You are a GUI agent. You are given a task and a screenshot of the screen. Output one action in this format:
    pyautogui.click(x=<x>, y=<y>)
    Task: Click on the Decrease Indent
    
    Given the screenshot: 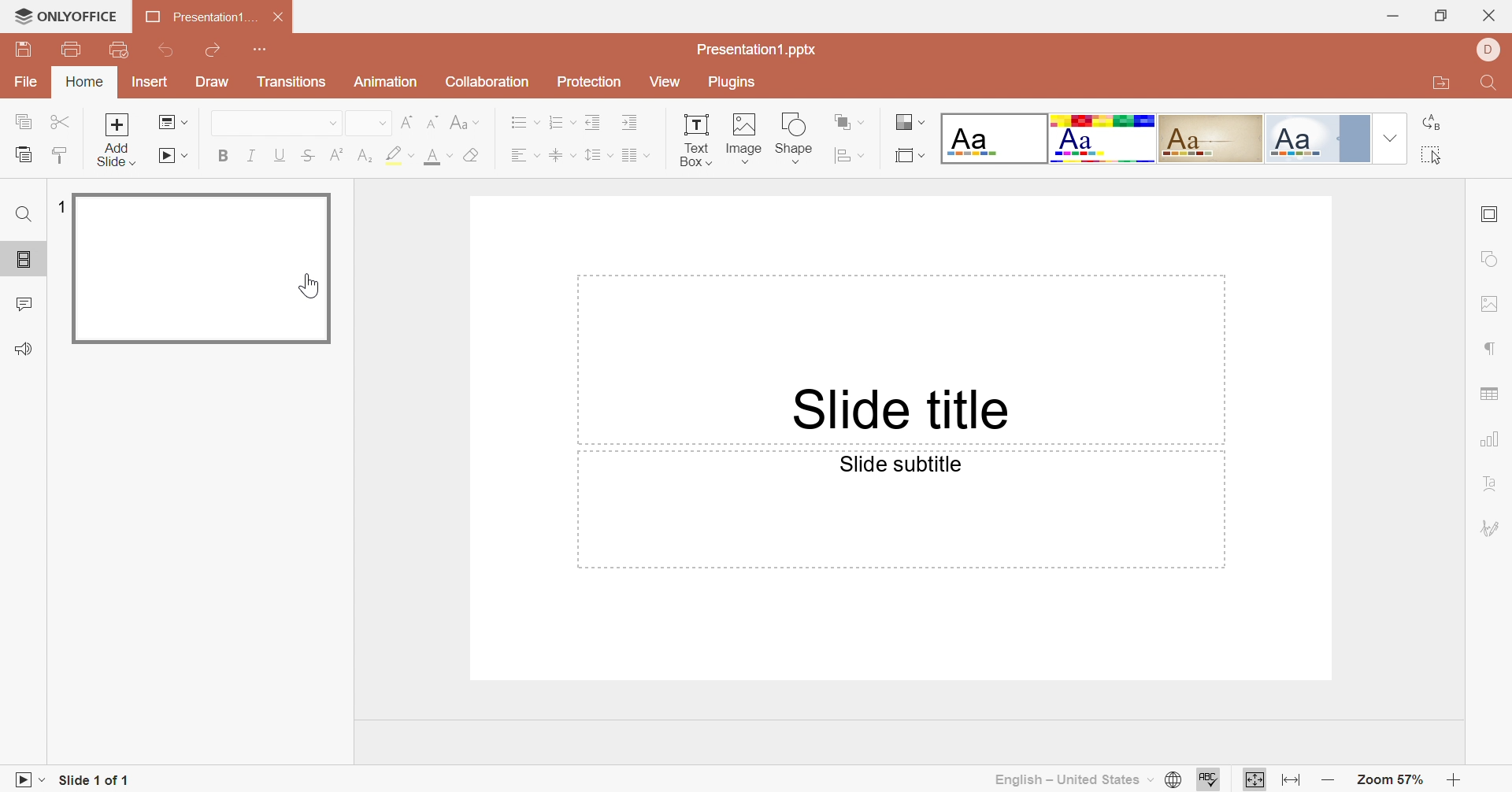 What is the action you would take?
    pyautogui.click(x=593, y=120)
    